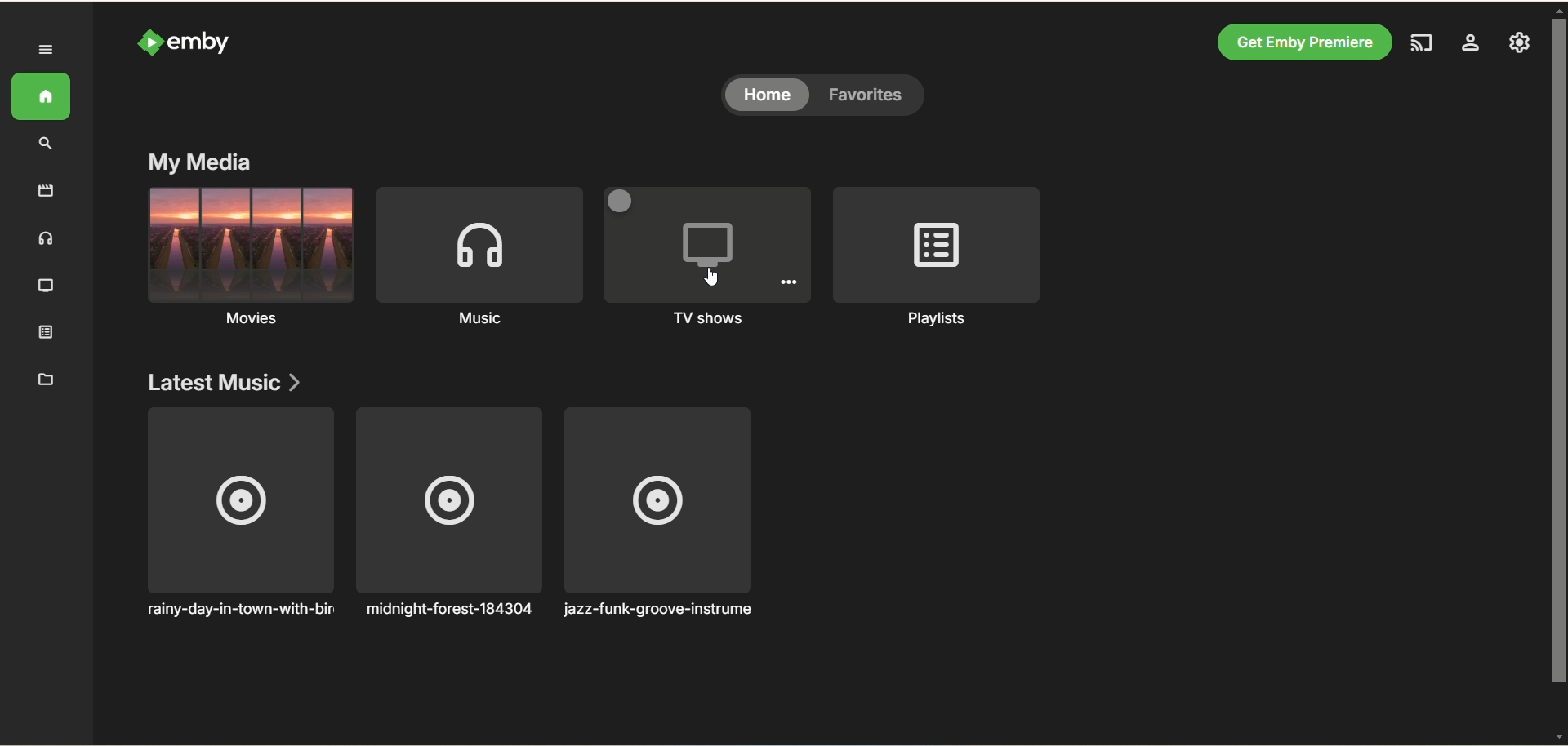 The width and height of the screenshot is (1568, 746). What do you see at coordinates (220, 381) in the screenshot?
I see `latest music` at bounding box center [220, 381].